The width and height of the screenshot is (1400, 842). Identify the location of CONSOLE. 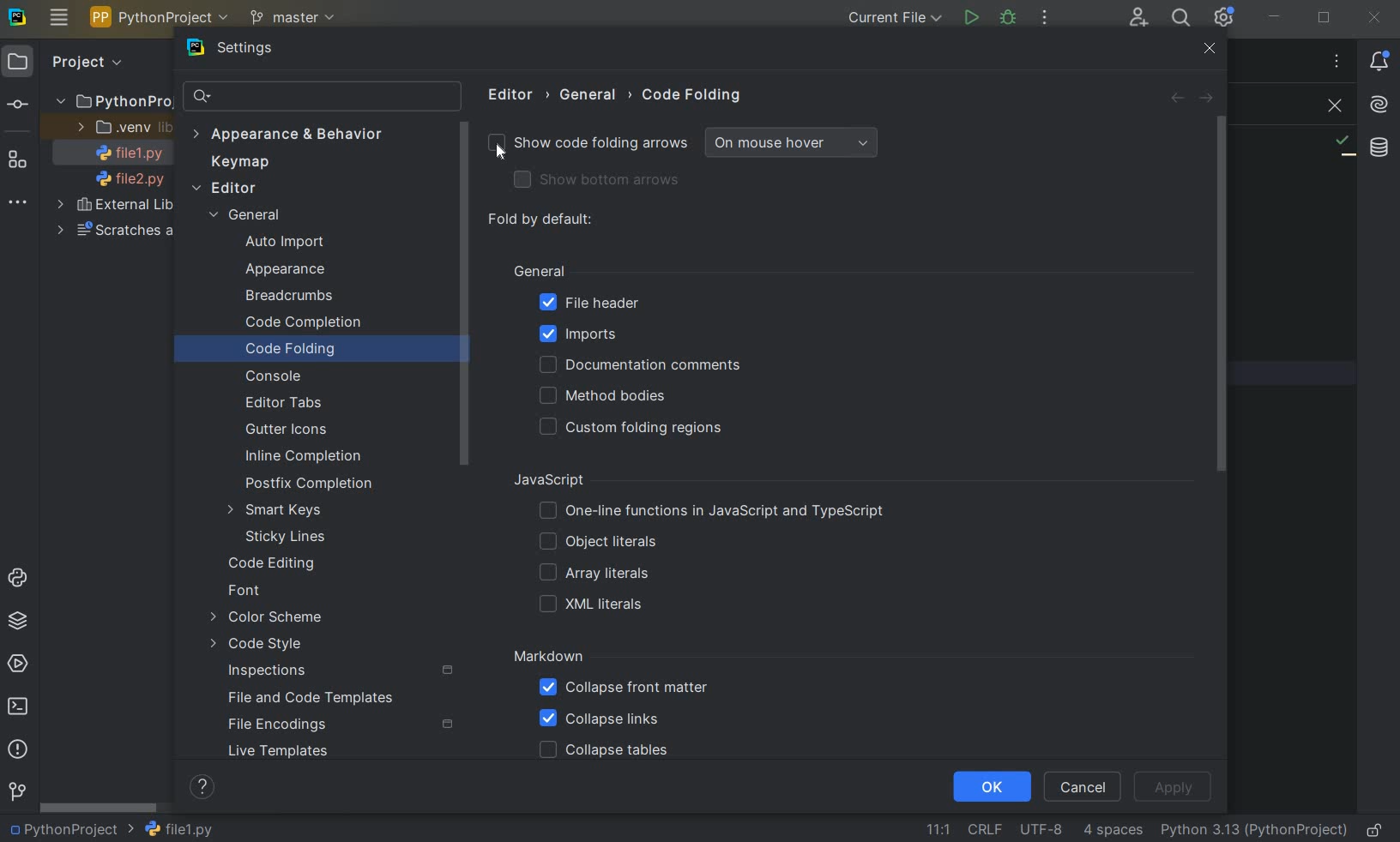
(280, 376).